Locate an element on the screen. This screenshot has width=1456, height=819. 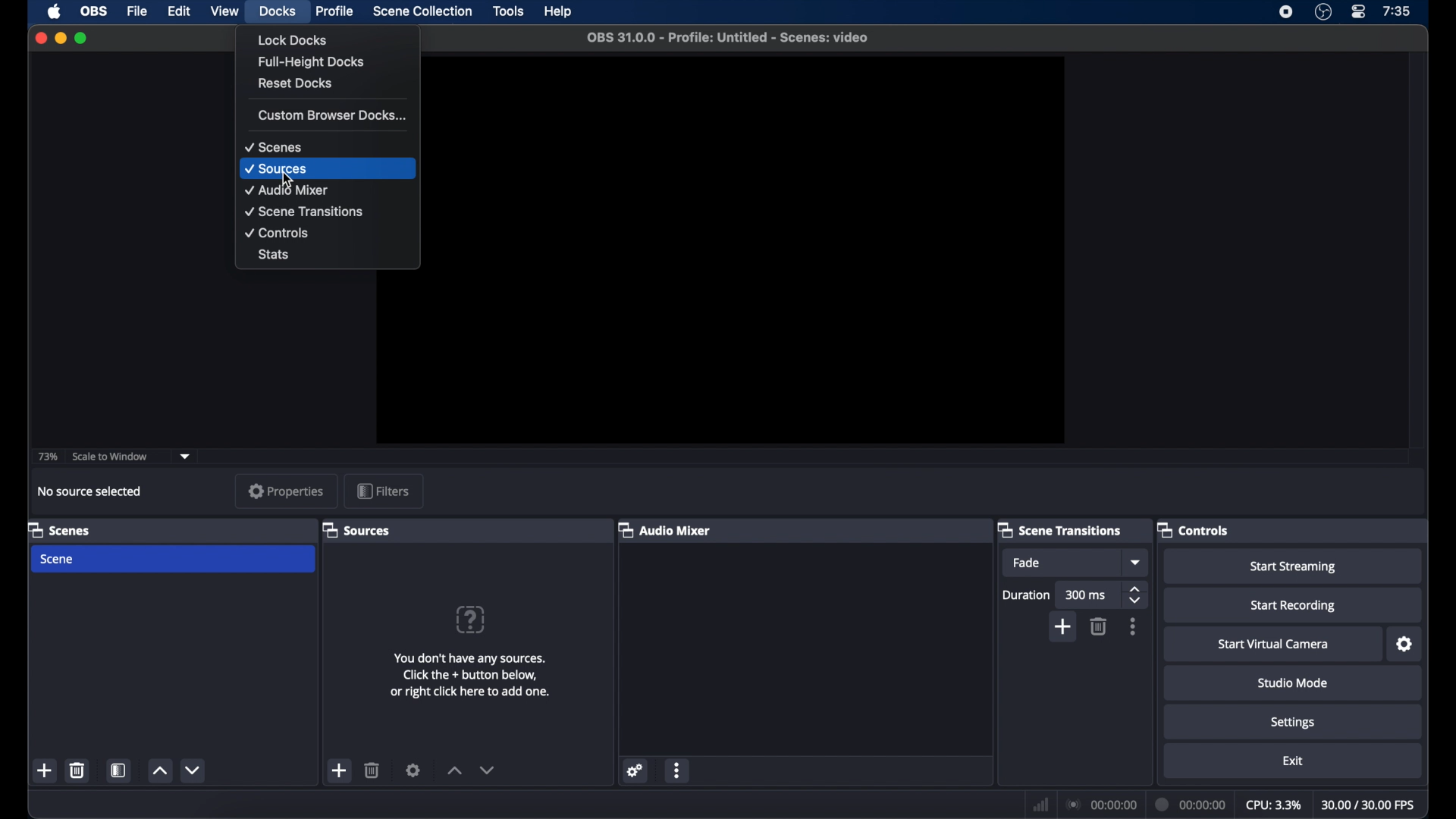
dropdown is located at coordinates (1134, 563).